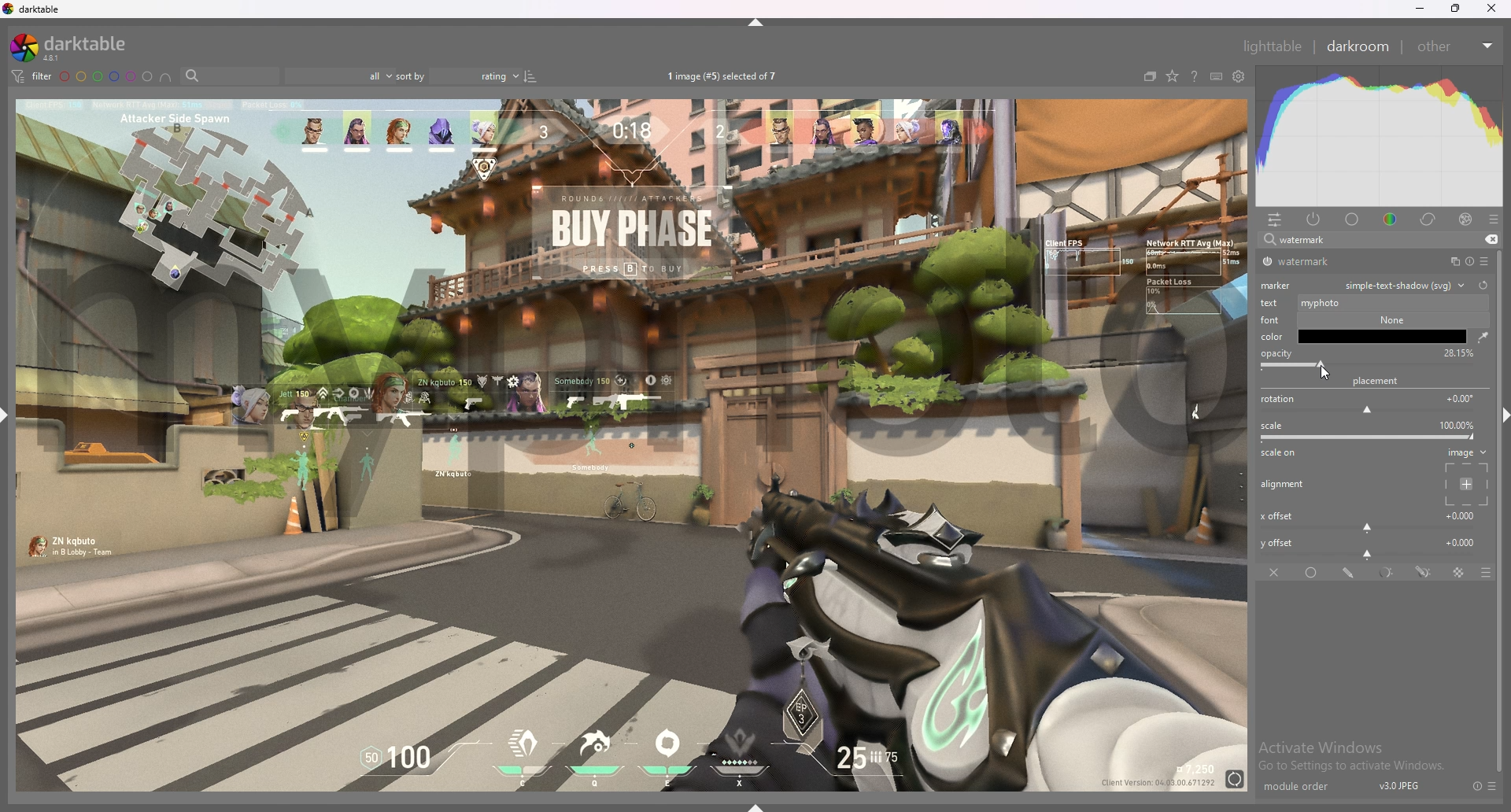 Image resolution: width=1511 pixels, height=812 pixels. Describe the element at coordinates (1276, 361) in the screenshot. I see `opacity` at that location.